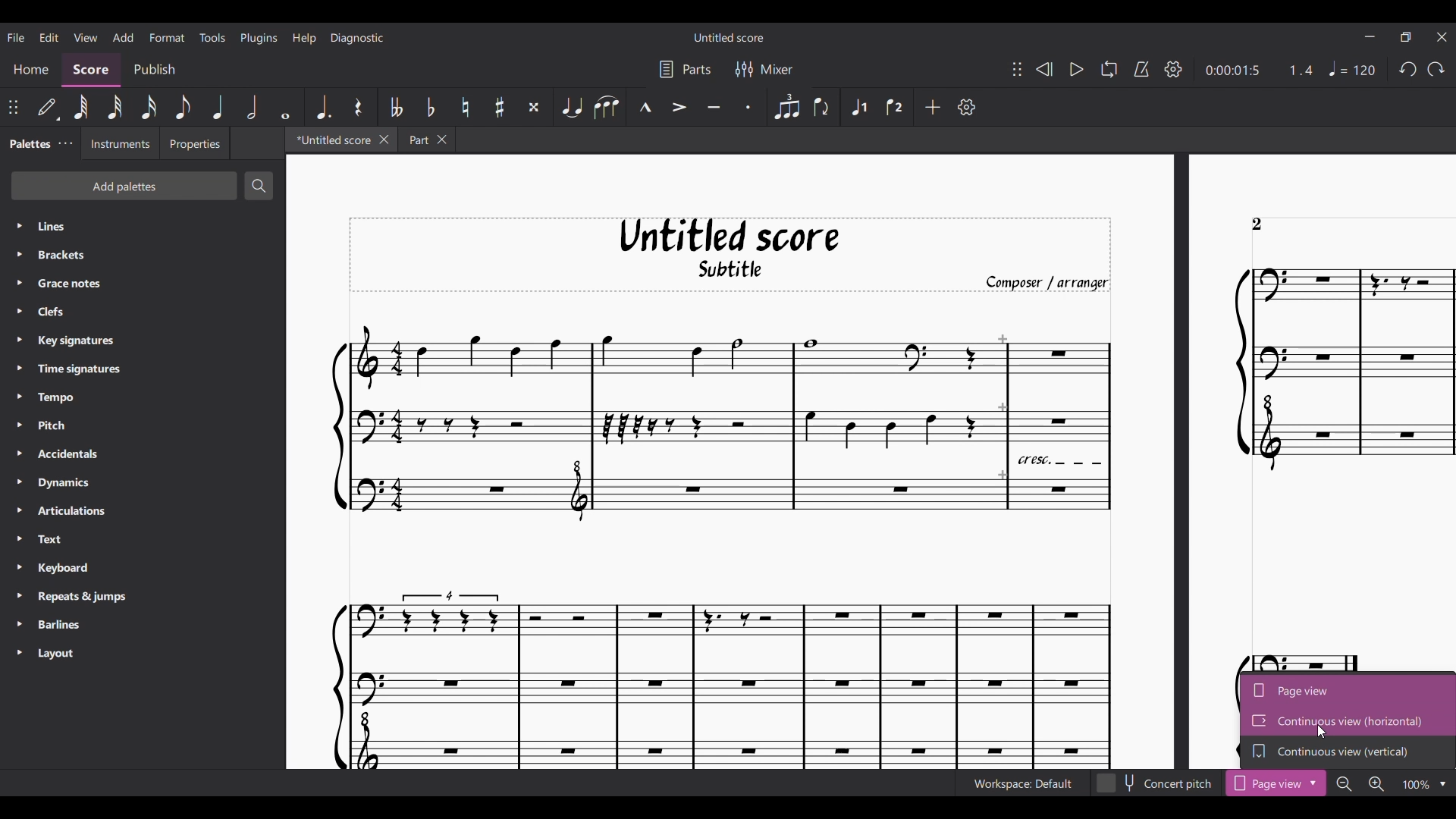 This screenshot has height=819, width=1456. I want to click on Edit menu, so click(49, 37).